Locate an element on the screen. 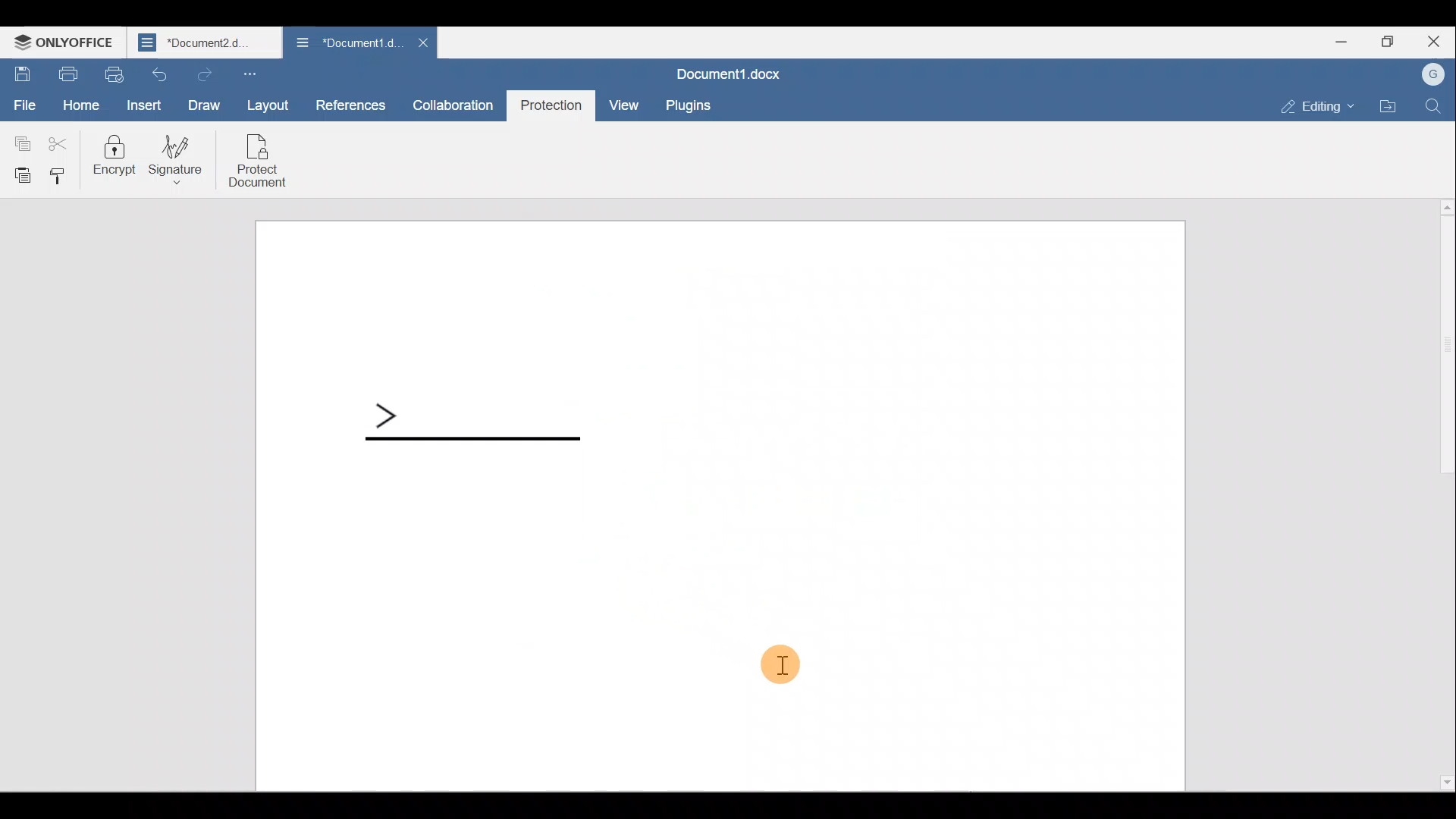 The height and width of the screenshot is (819, 1456). Minimize is located at coordinates (1330, 40).